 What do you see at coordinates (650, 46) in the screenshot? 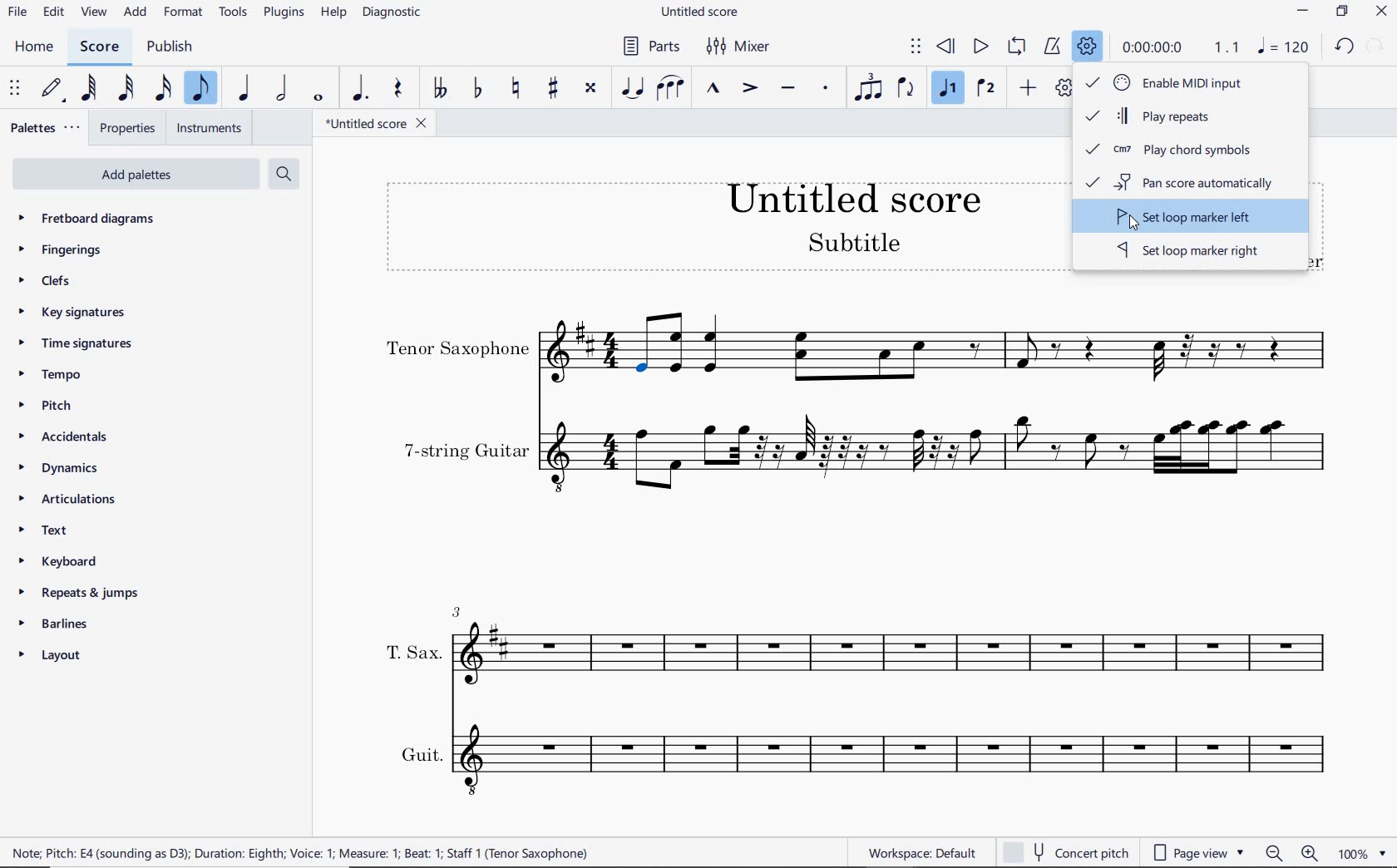
I see `PARTS` at bounding box center [650, 46].